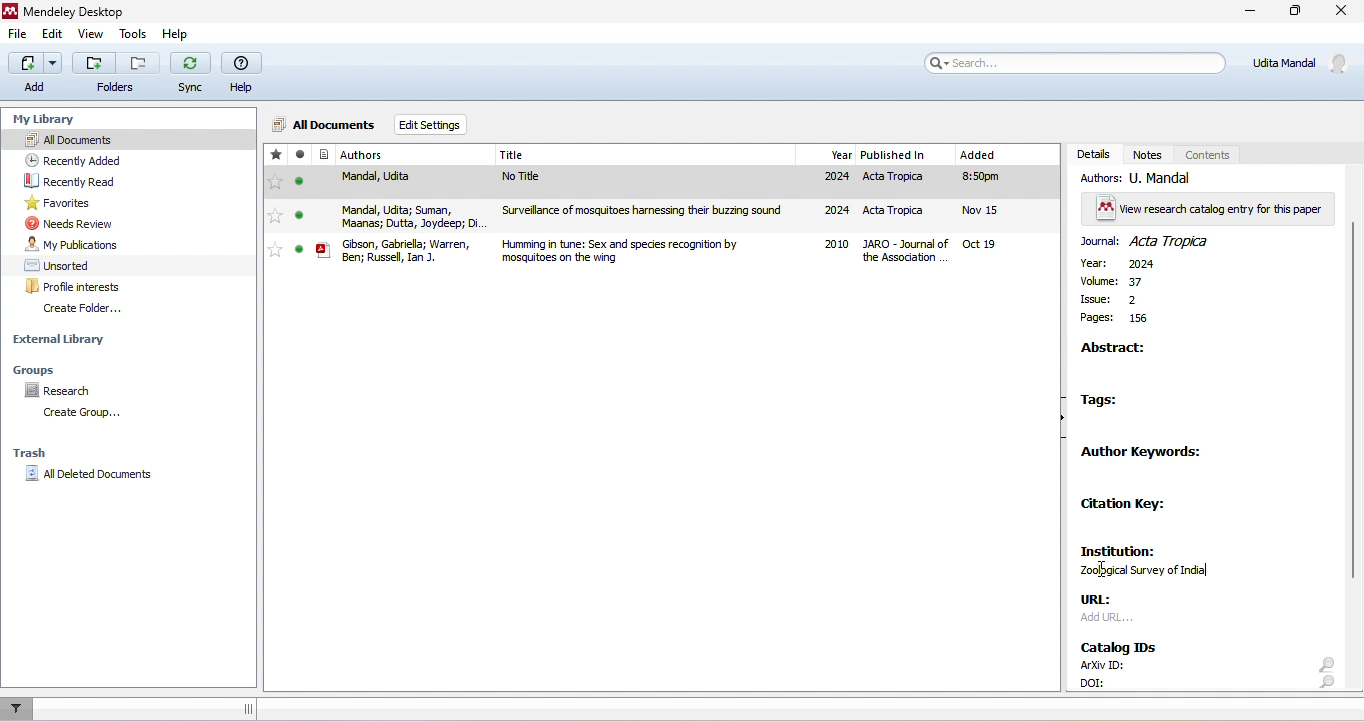 This screenshot has width=1364, height=722. What do you see at coordinates (54, 369) in the screenshot?
I see `groups` at bounding box center [54, 369].